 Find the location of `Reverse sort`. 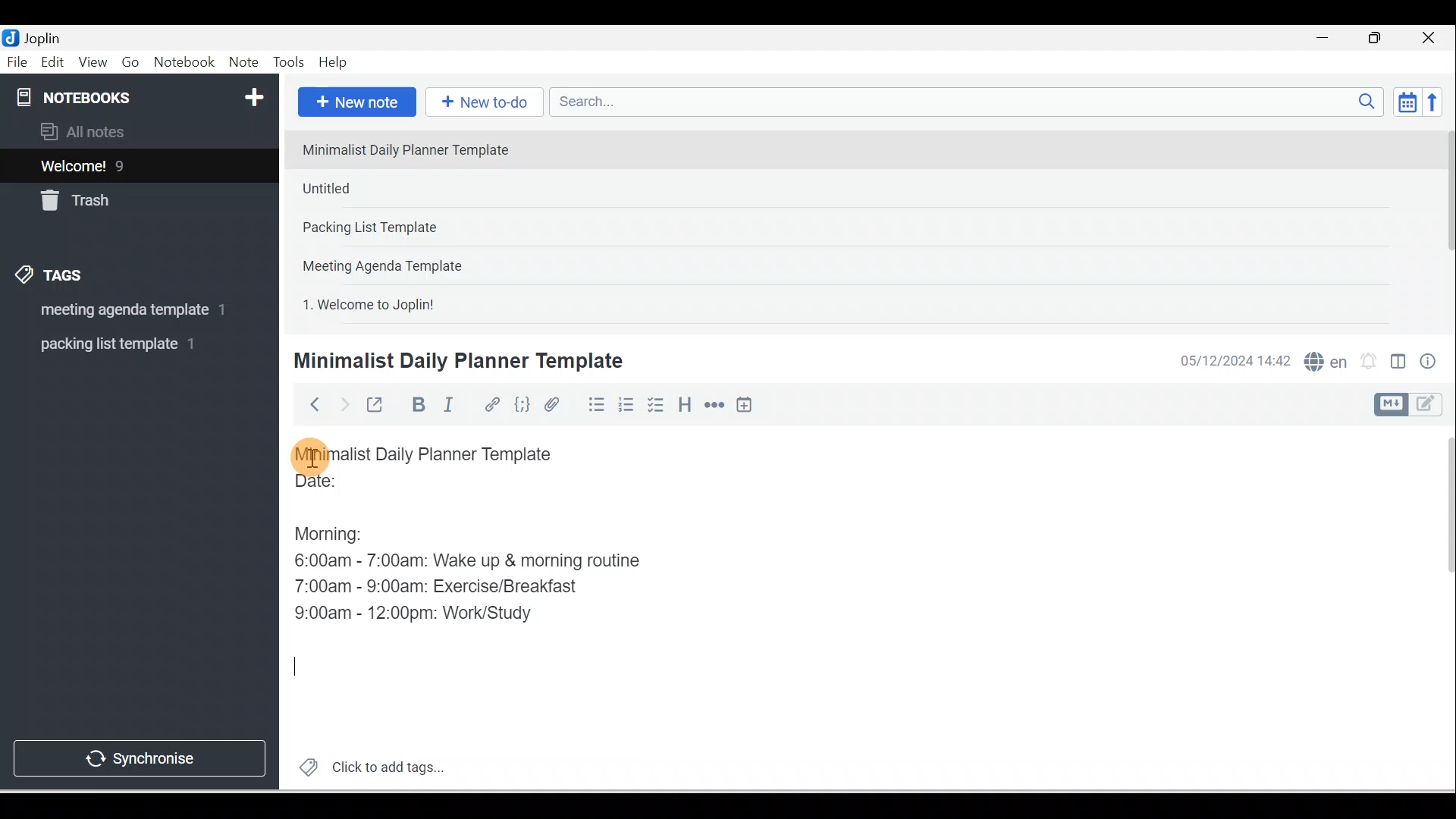

Reverse sort is located at coordinates (1437, 102).